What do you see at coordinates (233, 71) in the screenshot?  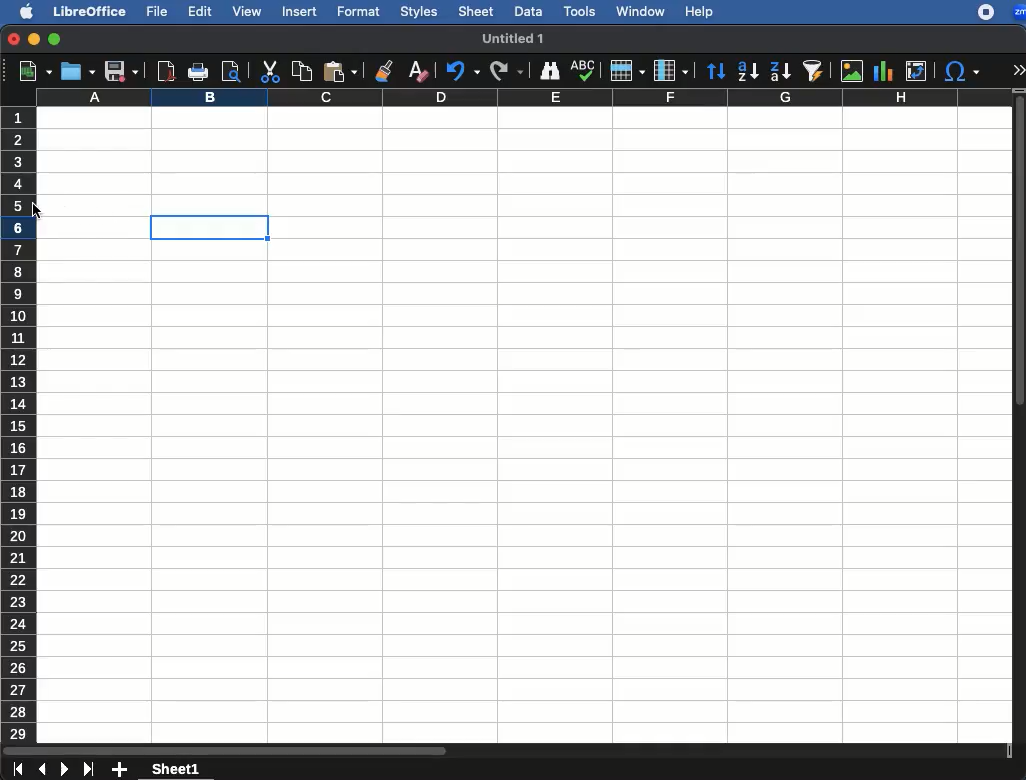 I see `print preview` at bounding box center [233, 71].